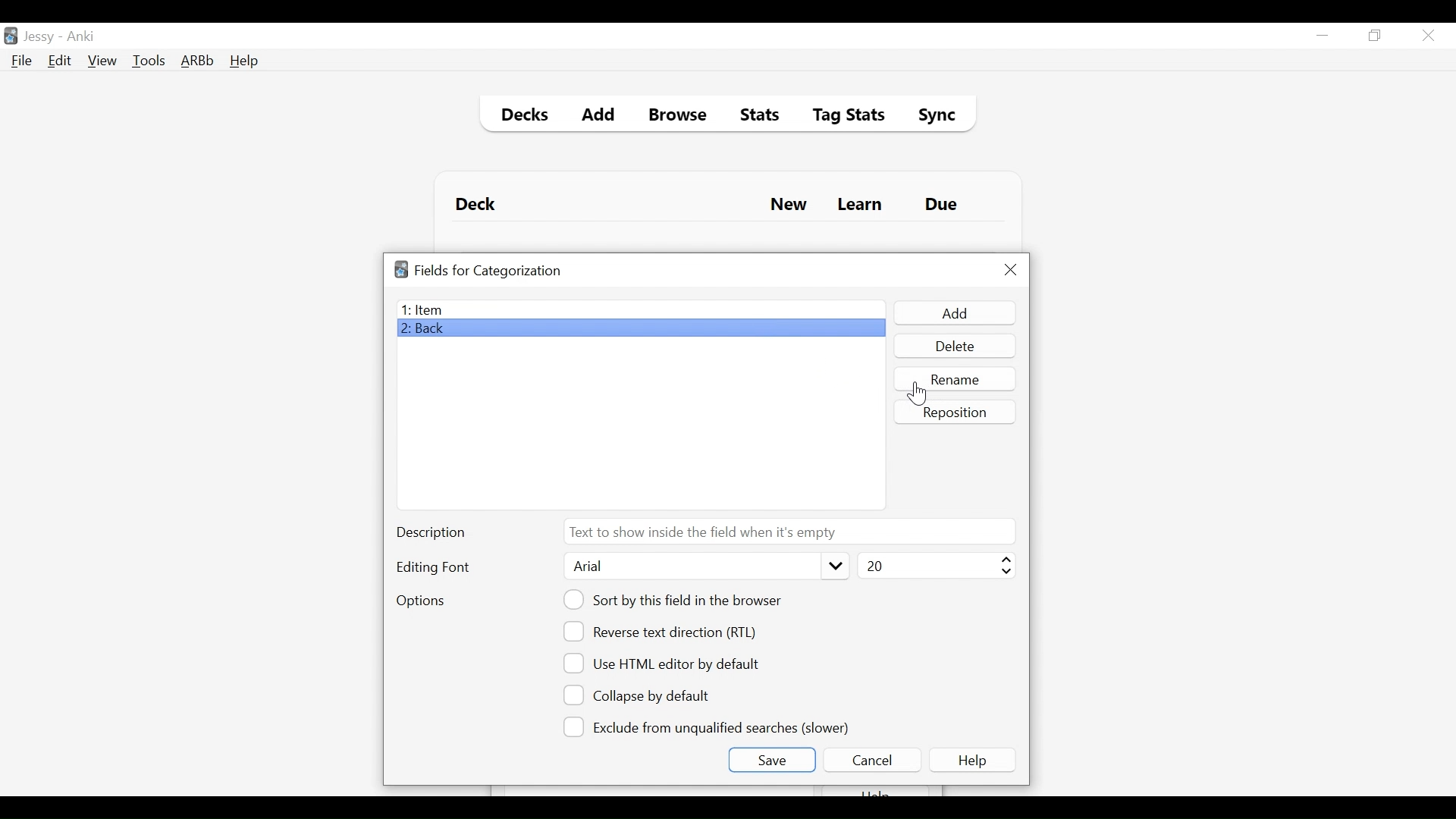 The height and width of the screenshot is (819, 1456). What do you see at coordinates (648, 695) in the screenshot?
I see `(un)select Collapse by default` at bounding box center [648, 695].